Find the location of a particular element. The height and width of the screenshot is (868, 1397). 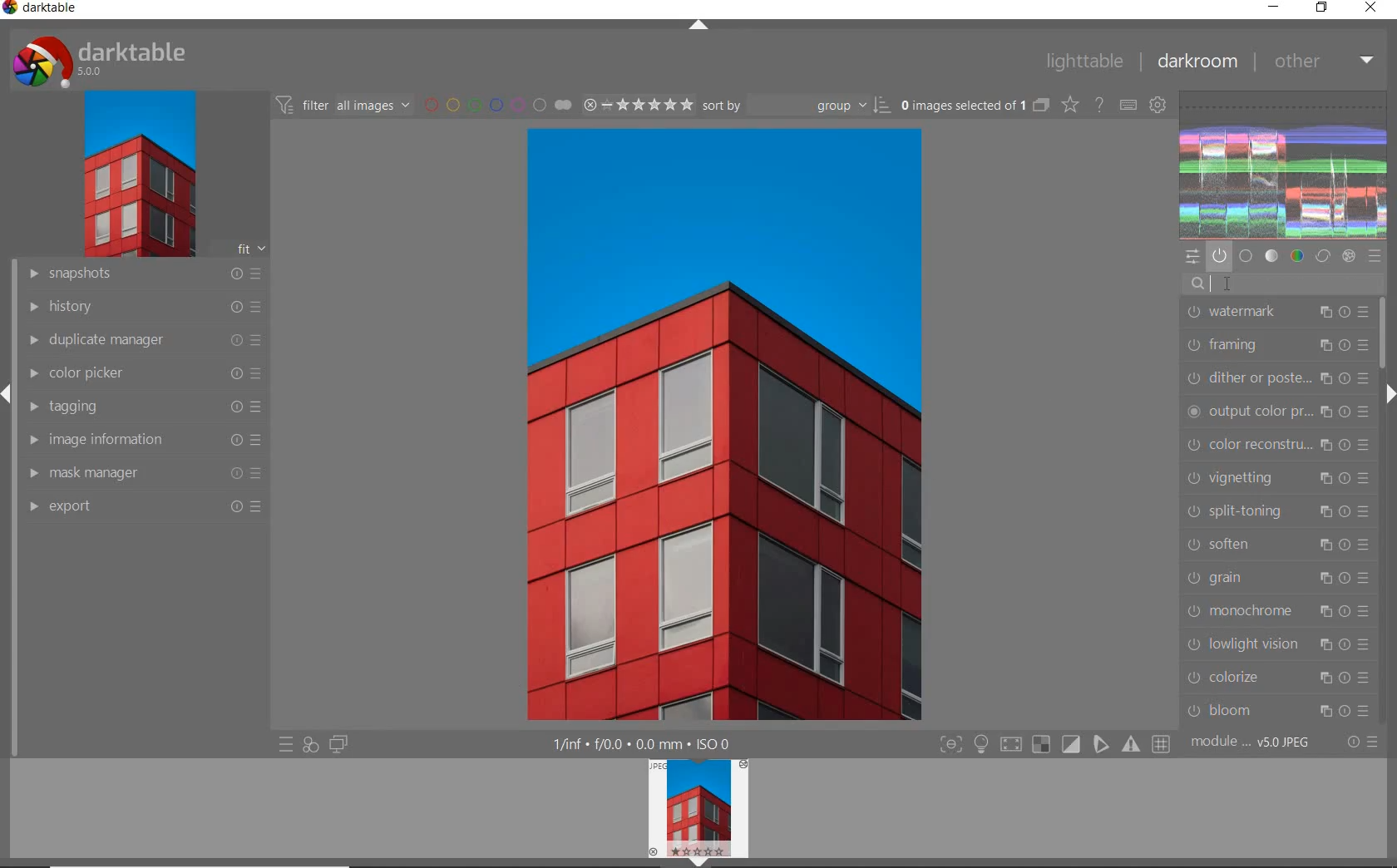

close is located at coordinates (1371, 9).